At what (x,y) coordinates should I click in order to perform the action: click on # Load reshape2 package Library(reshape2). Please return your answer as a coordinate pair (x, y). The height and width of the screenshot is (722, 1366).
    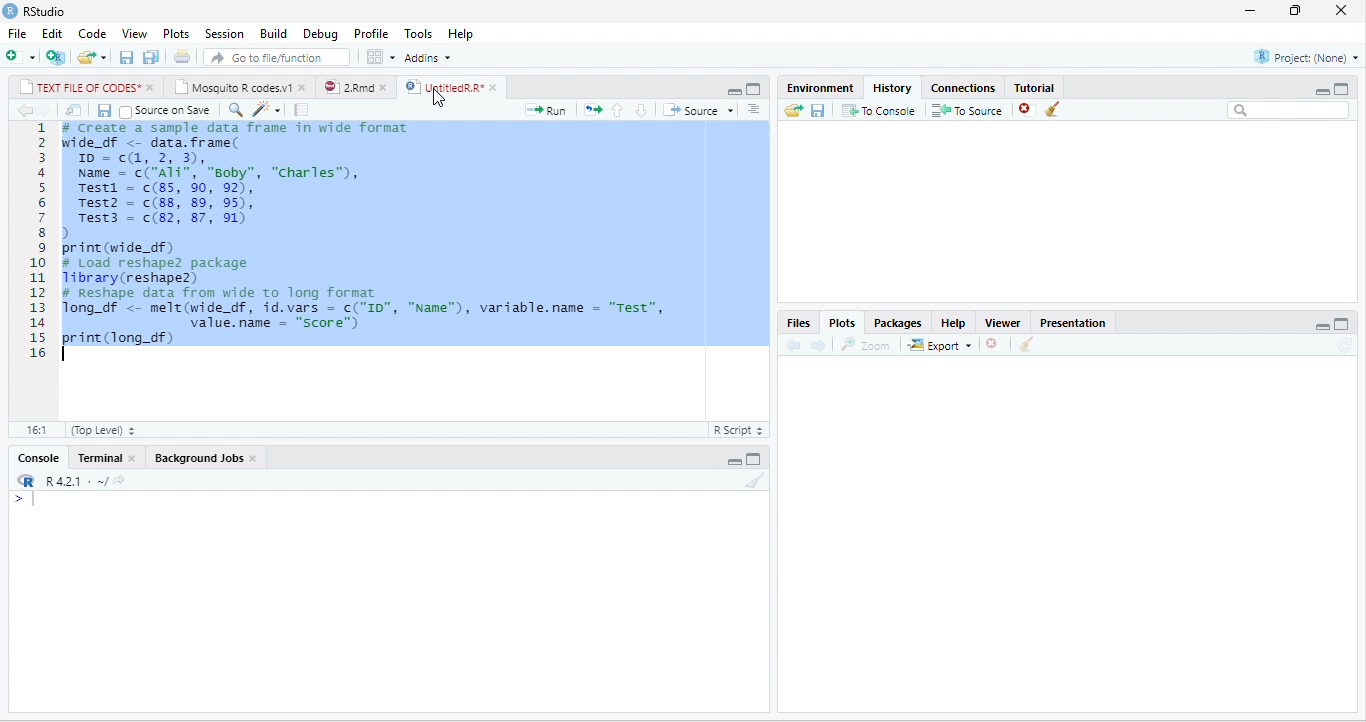
    Looking at the image, I should click on (170, 271).